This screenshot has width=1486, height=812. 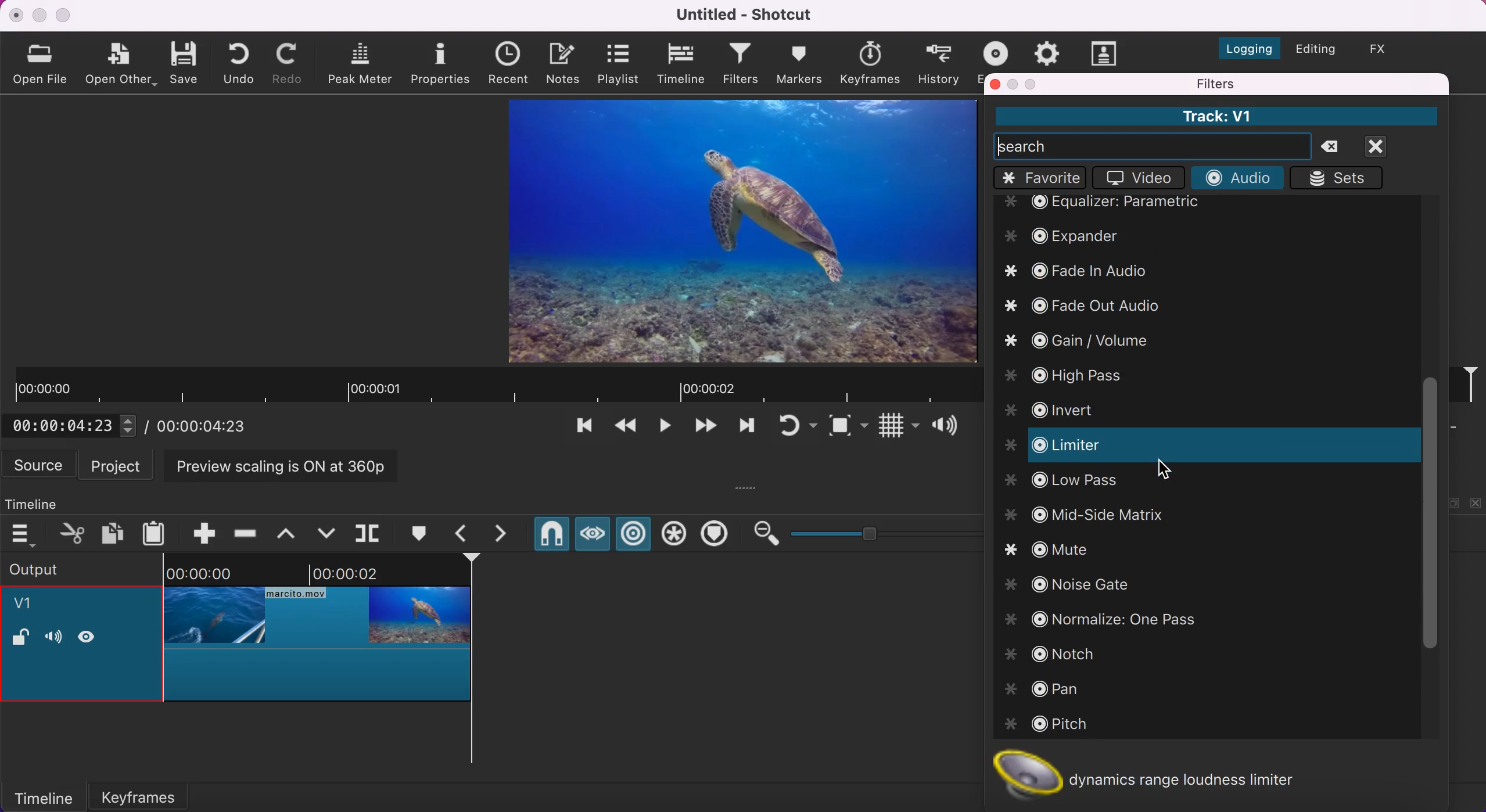 What do you see at coordinates (73, 533) in the screenshot?
I see `cut` at bounding box center [73, 533].